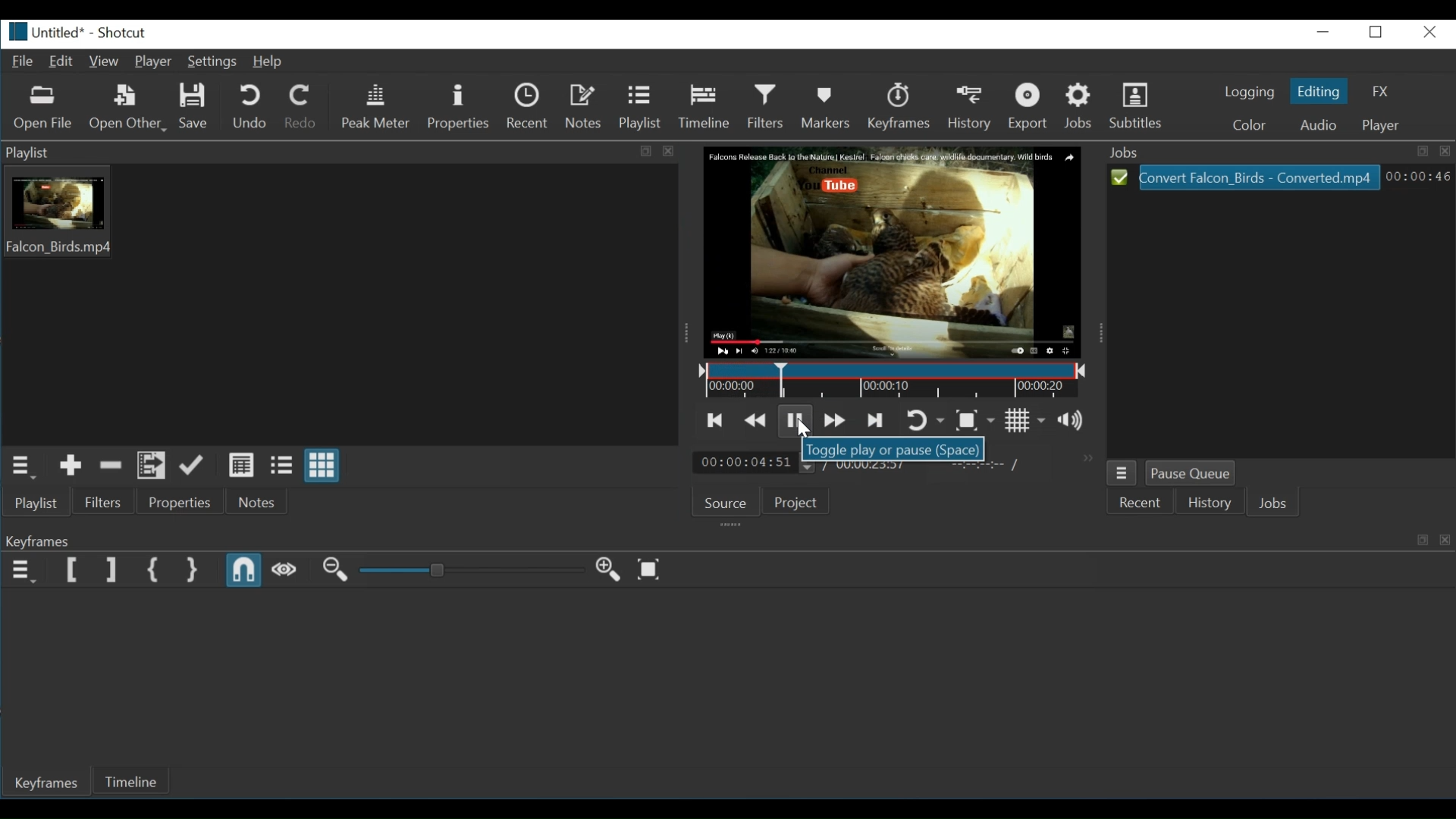 This screenshot has width=1456, height=819. What do you see at coordinates (1246, 177) in the screenshot?
I see `Convert Falcon_Birds - Converted.mp4` at bounding box center [1246, 177].